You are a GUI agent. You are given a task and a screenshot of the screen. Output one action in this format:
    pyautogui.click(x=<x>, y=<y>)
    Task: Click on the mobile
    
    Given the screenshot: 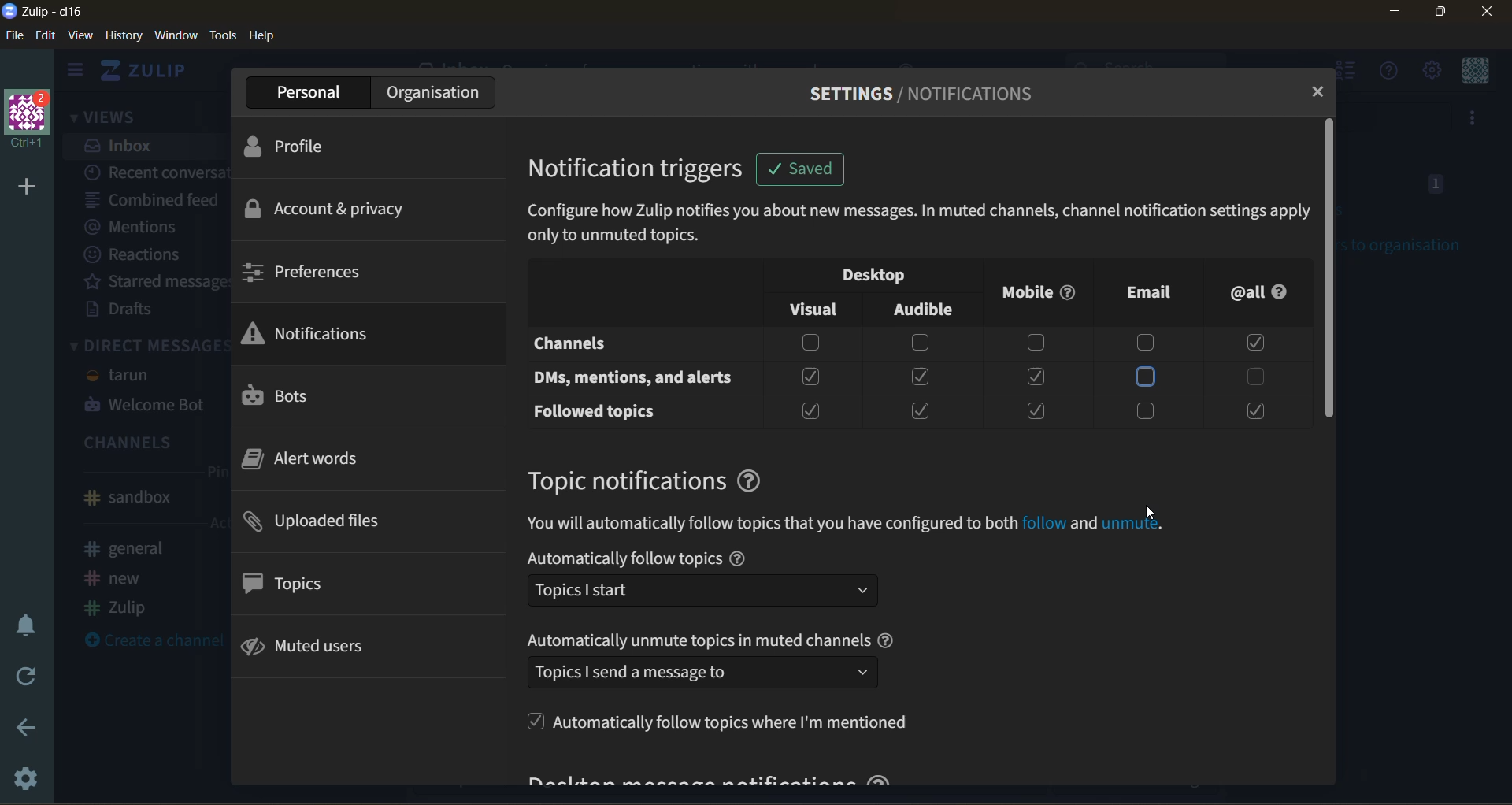 What is the action you would take?
    pyautogui.click(x=1039, y=291)
    